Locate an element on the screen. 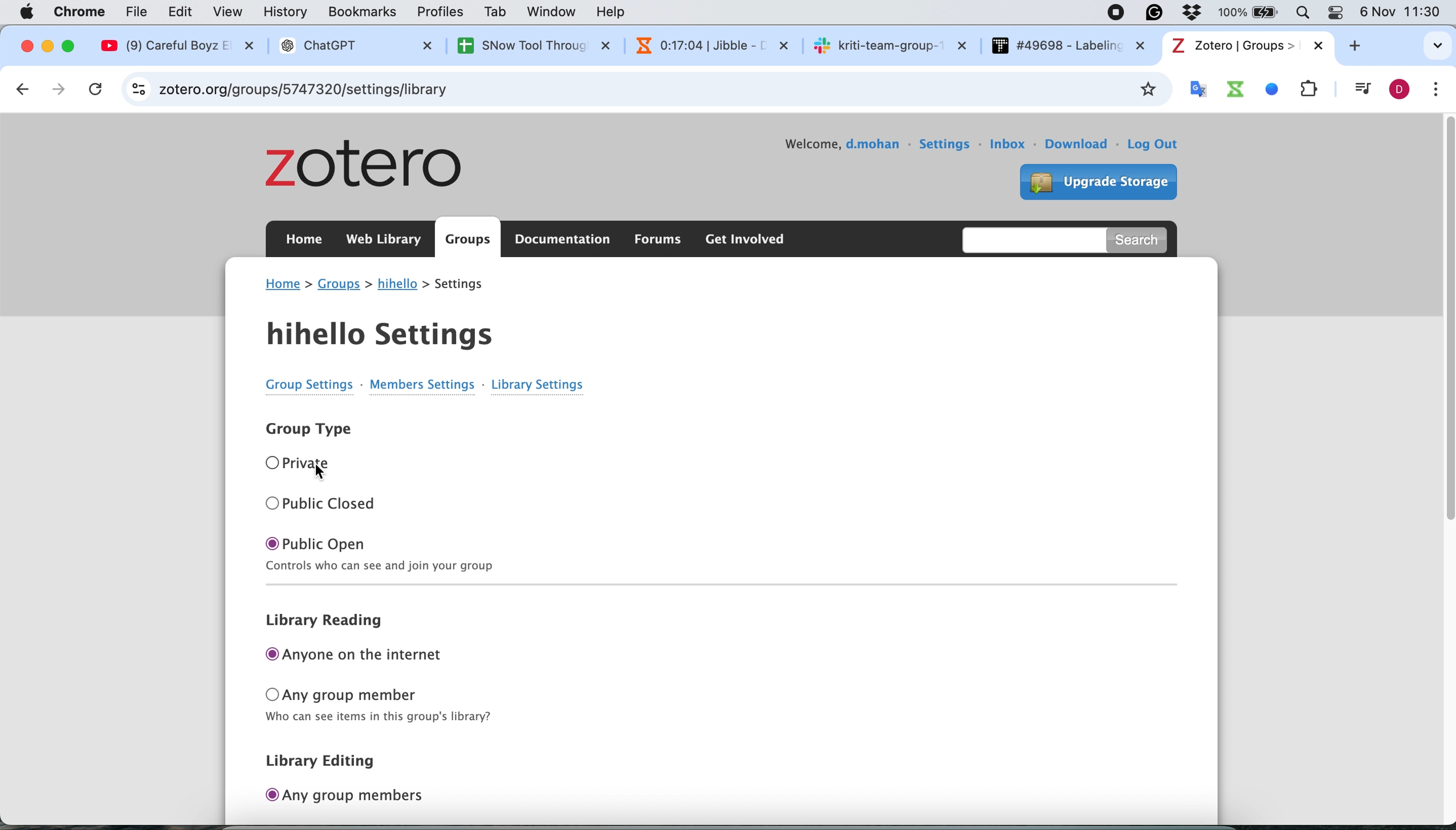  maximise is located at coordinates (72, 44).